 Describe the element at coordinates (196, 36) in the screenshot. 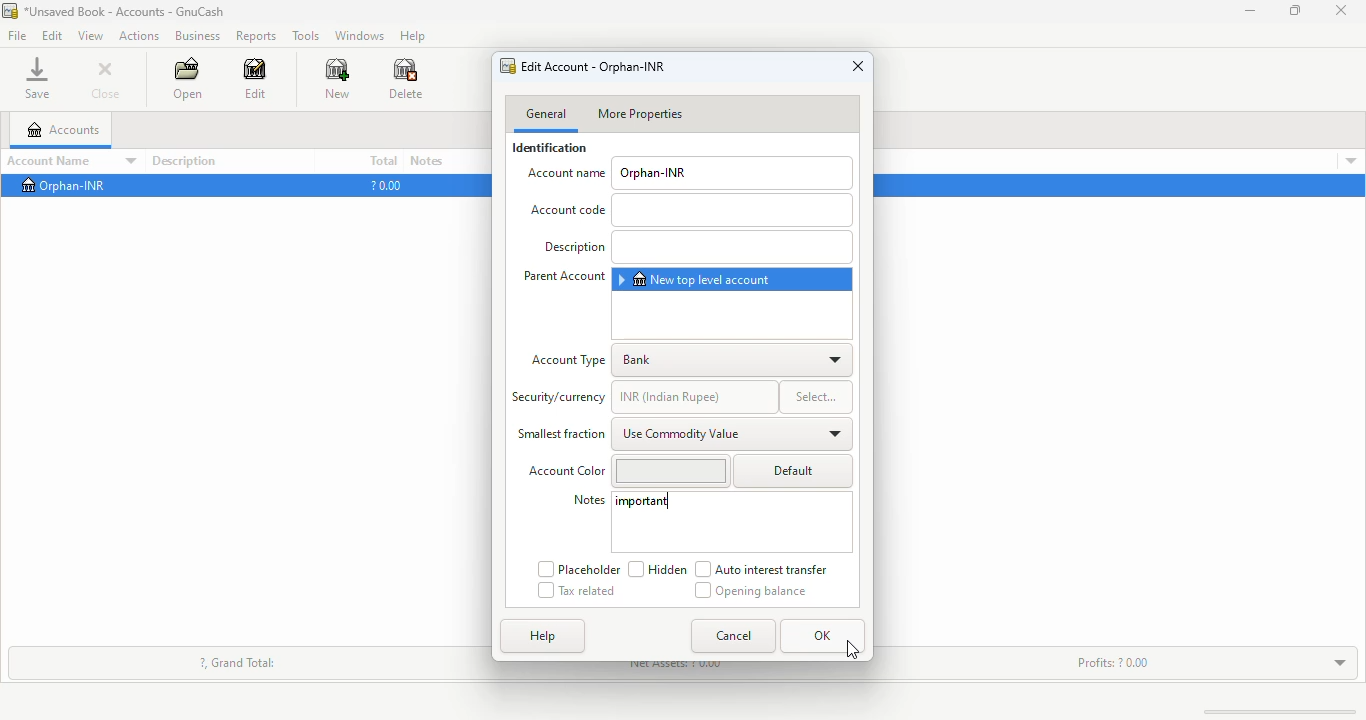

I see `business` at that location.